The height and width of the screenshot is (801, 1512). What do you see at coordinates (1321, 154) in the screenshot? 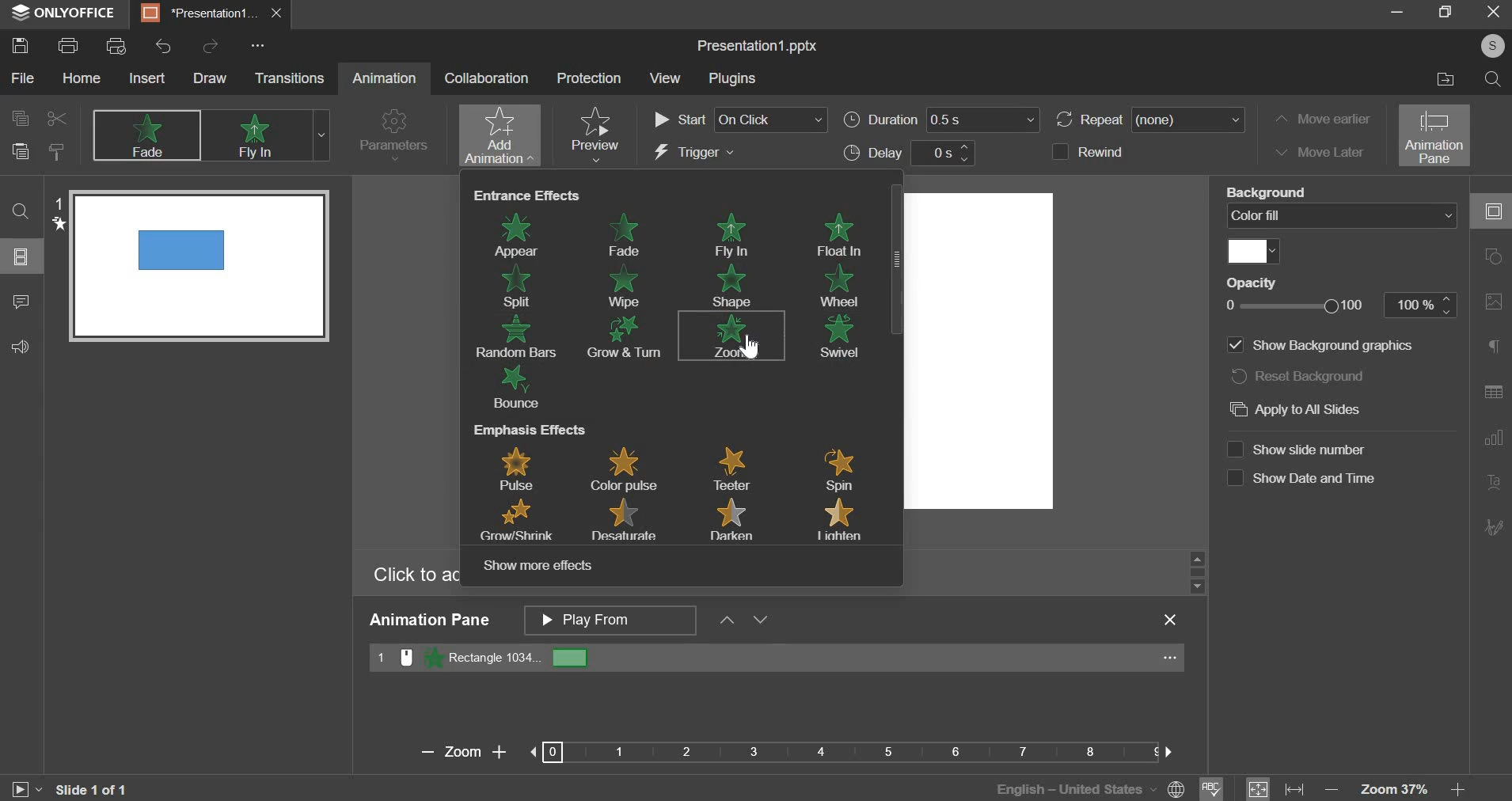
I see `move later` at bounding box center [1321, 154].